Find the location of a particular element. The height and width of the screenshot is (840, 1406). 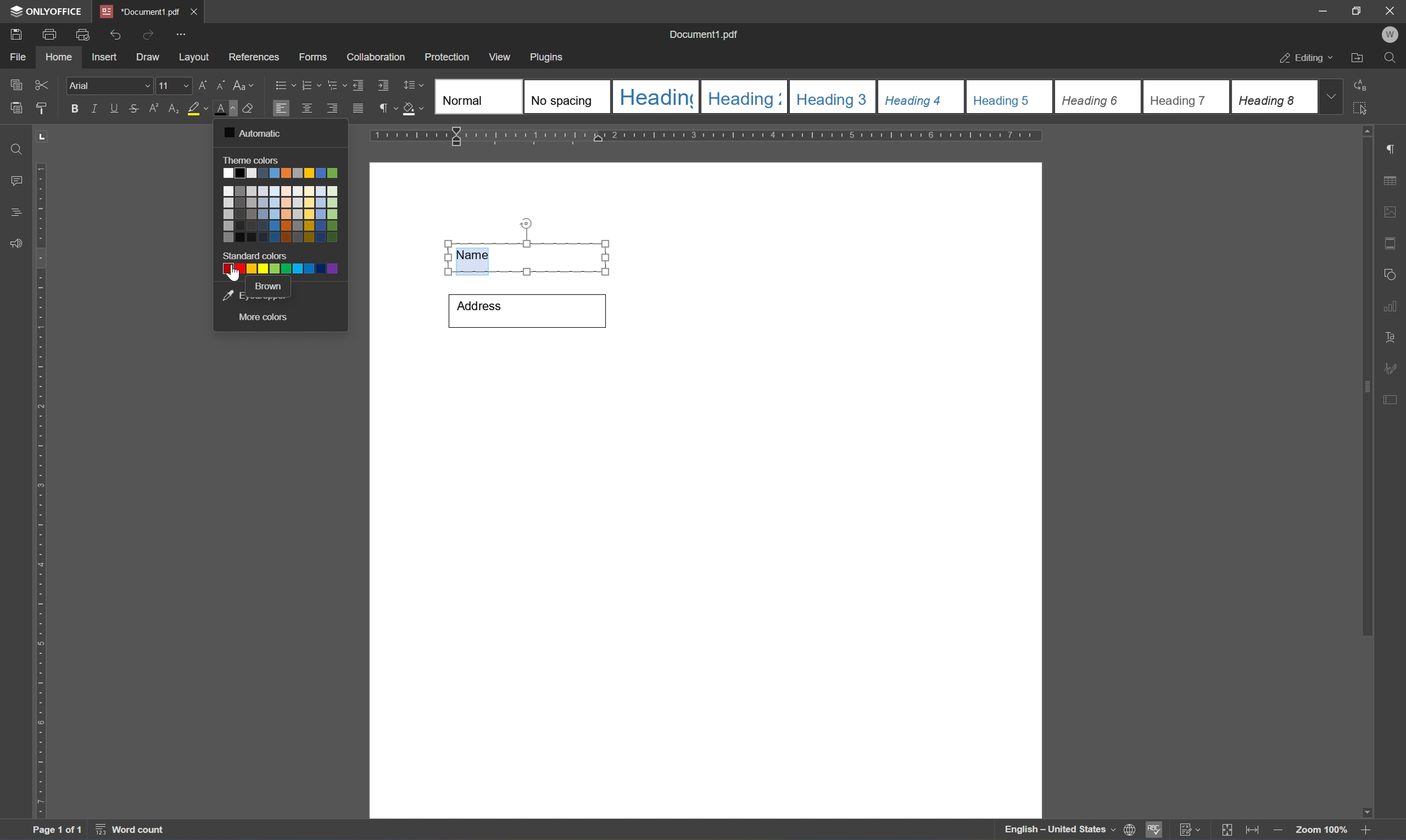

comment is located at coordinates (14, 179).